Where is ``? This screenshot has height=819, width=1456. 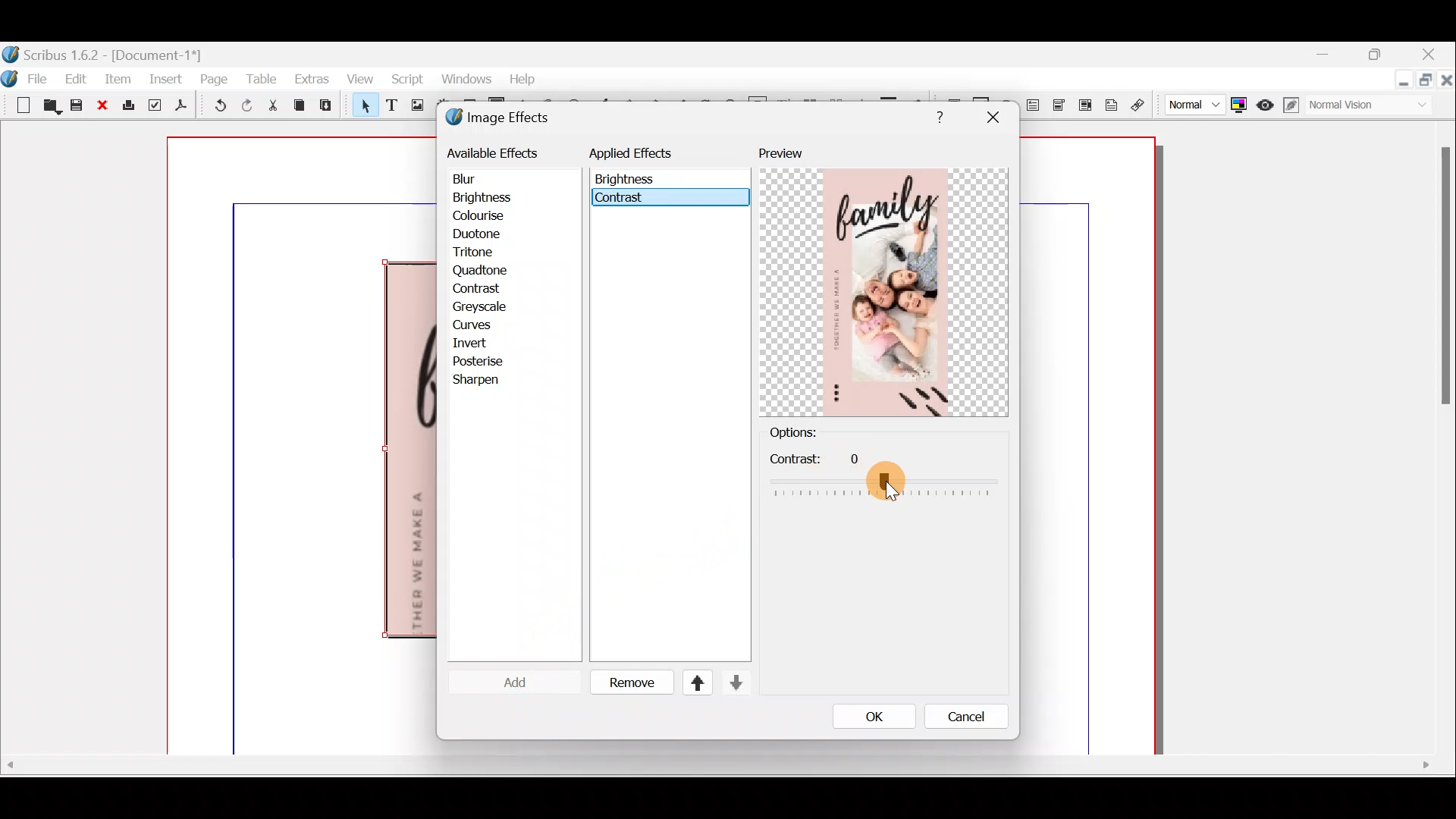  is located at coordinates (992, 118).